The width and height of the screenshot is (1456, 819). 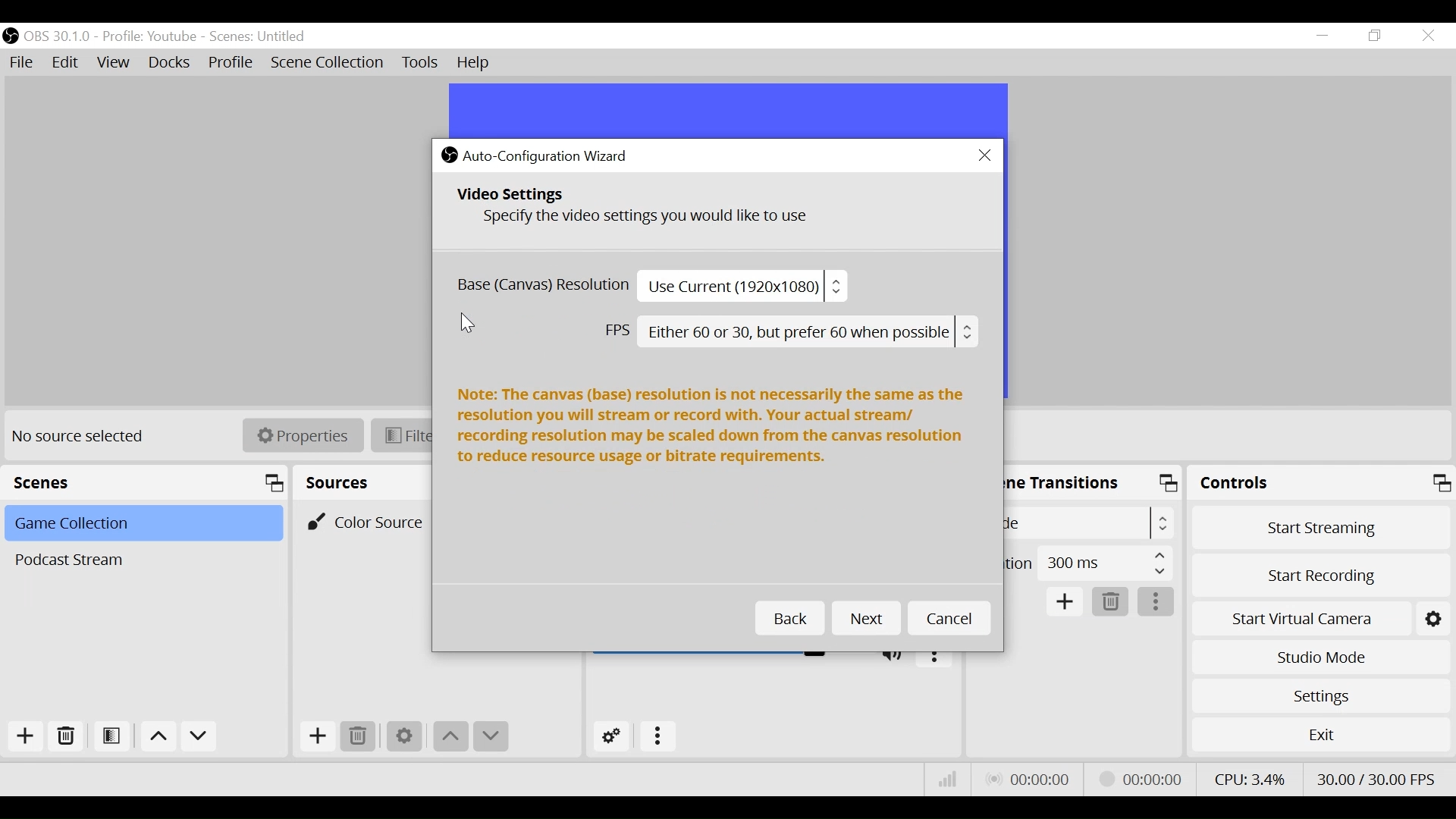 What do you see at coordinates (25, 736) in the screenshot?
I see `Add` at bounding box center [25, 736].